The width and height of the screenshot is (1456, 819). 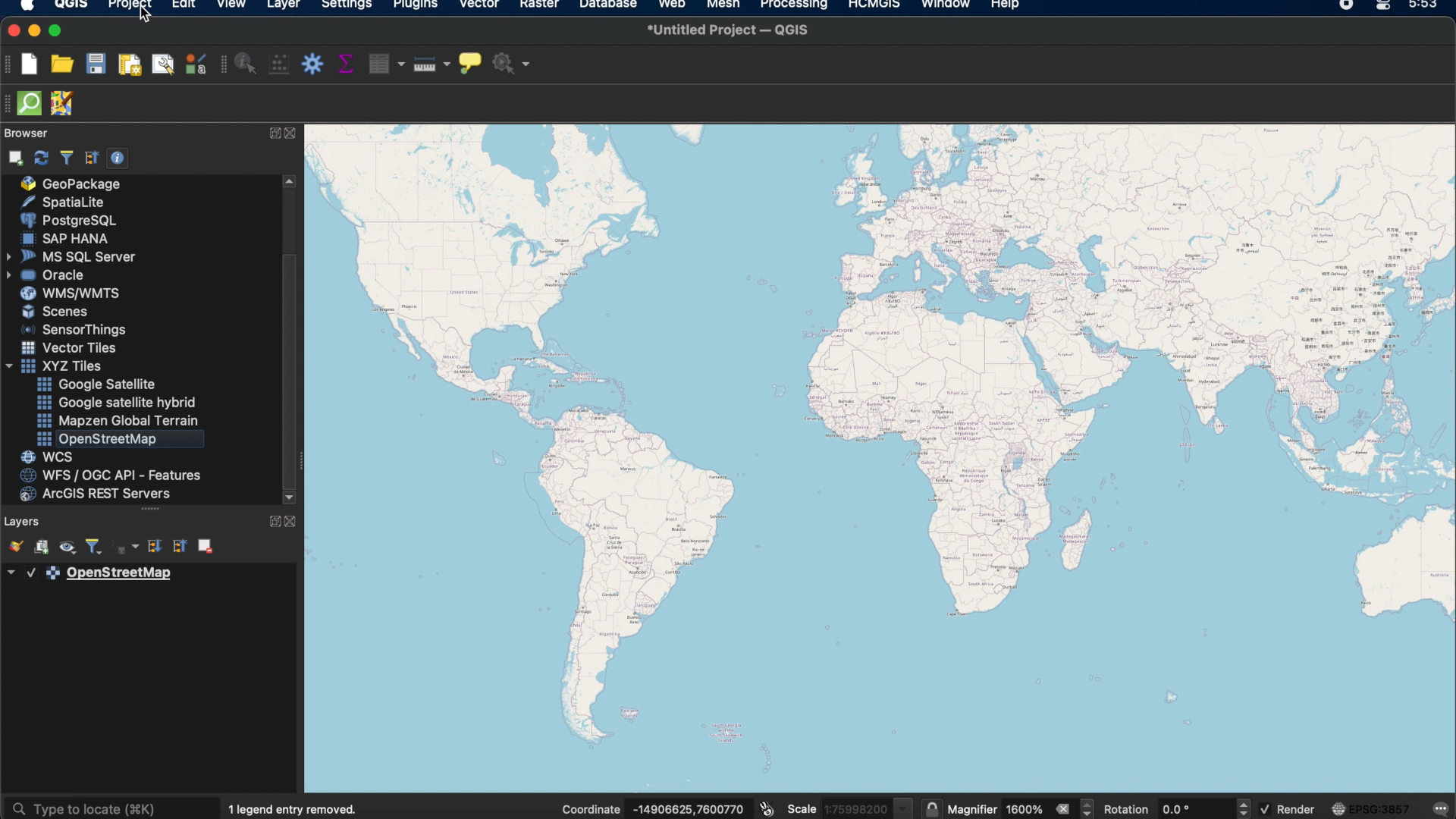 I want to click on raster, so click(x=538, y=6).